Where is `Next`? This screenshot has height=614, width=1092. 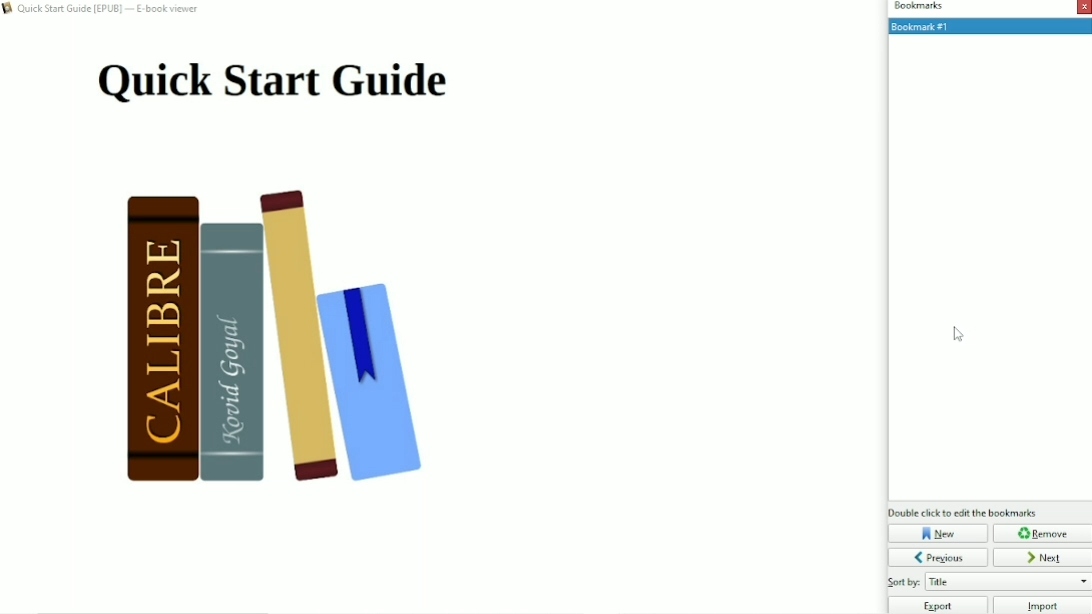 Next is located at coordinates (1043, 557).